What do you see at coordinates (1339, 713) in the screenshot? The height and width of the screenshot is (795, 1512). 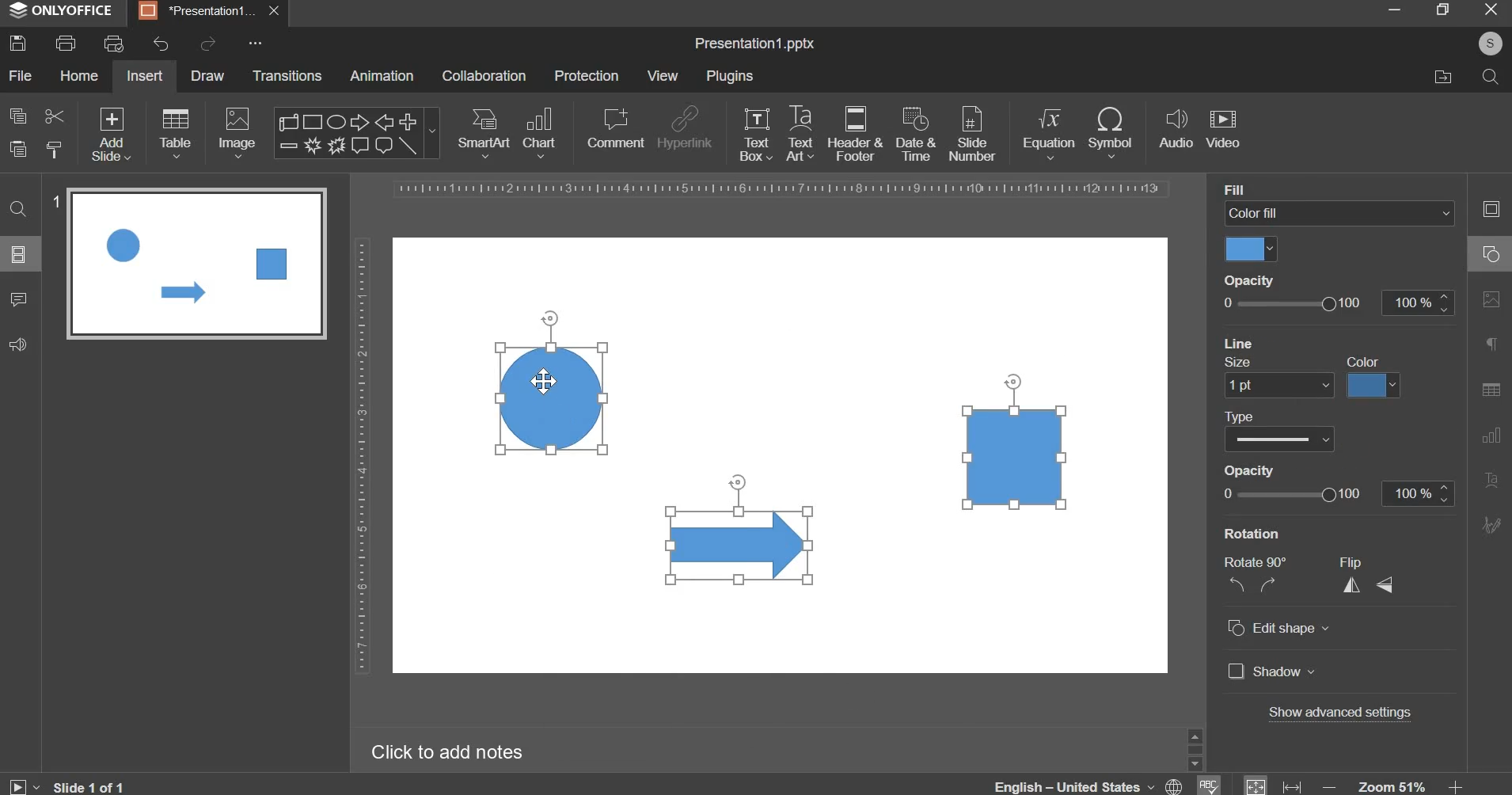 I see `show advanced settings` at bounding box center [1339, 713].